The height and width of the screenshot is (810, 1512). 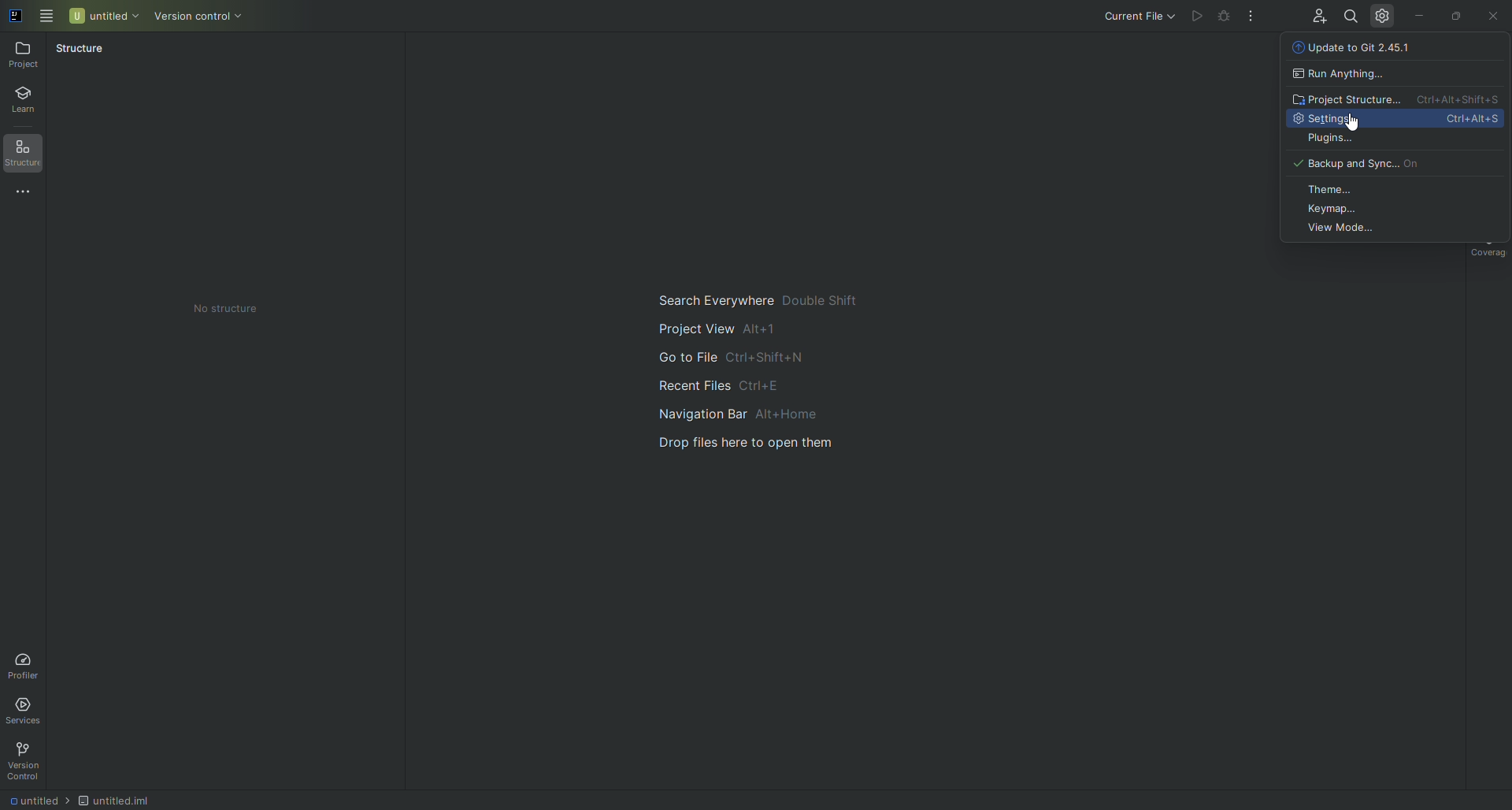 I want to click on Coverage, so click(x=1488, y=255).